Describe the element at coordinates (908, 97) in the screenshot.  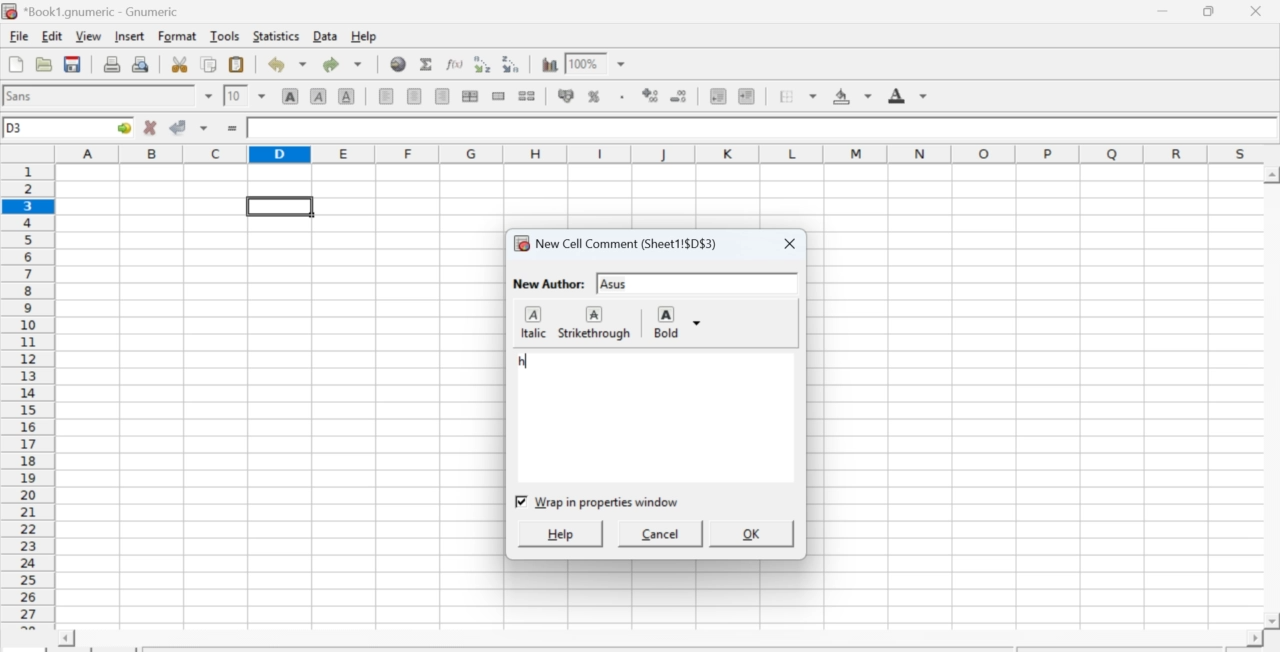
I see `Foreground` at that location.